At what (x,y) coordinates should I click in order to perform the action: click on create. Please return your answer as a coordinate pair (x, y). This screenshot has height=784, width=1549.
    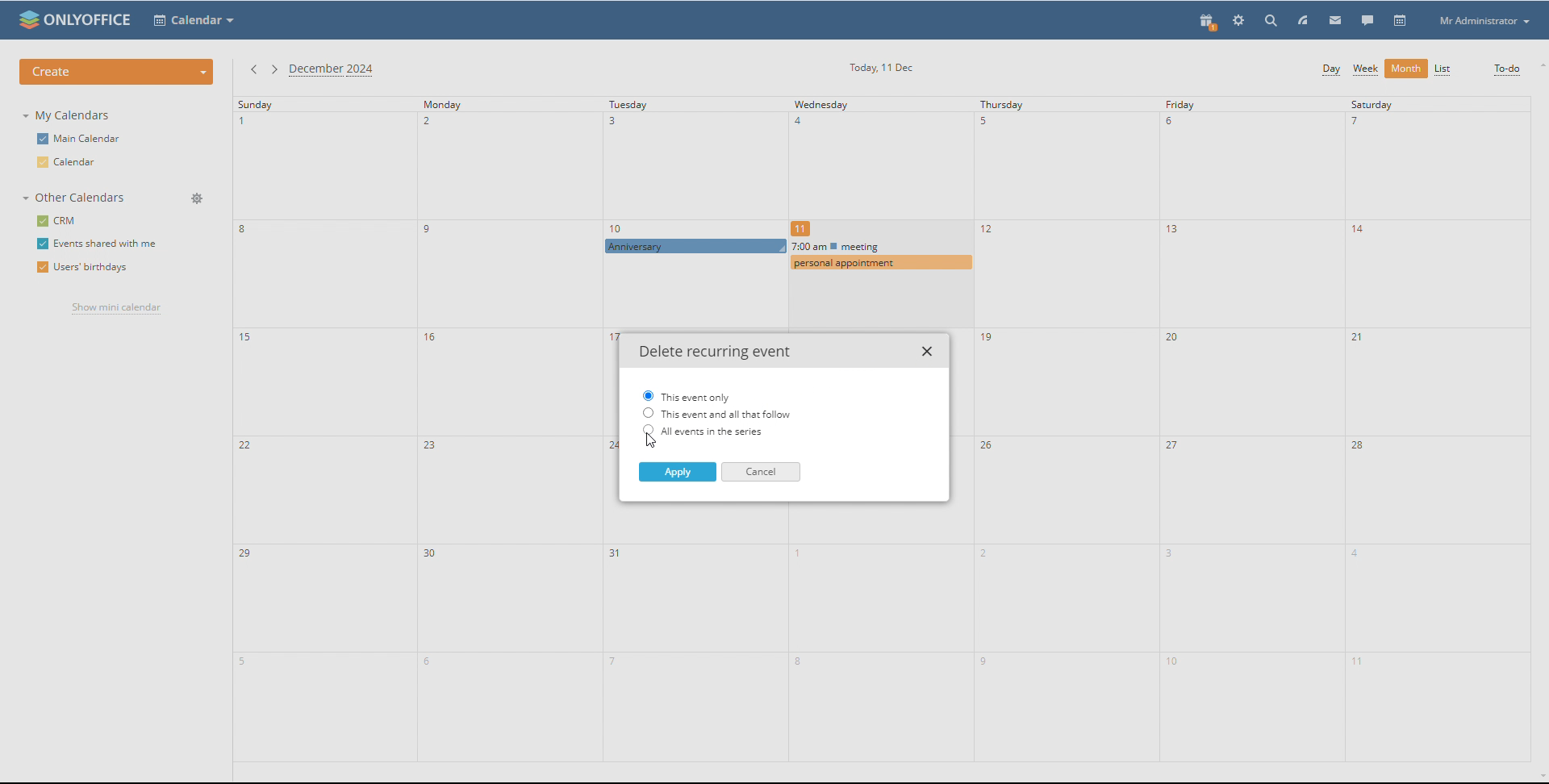
    Looking at the image, I should click on (116, 72).